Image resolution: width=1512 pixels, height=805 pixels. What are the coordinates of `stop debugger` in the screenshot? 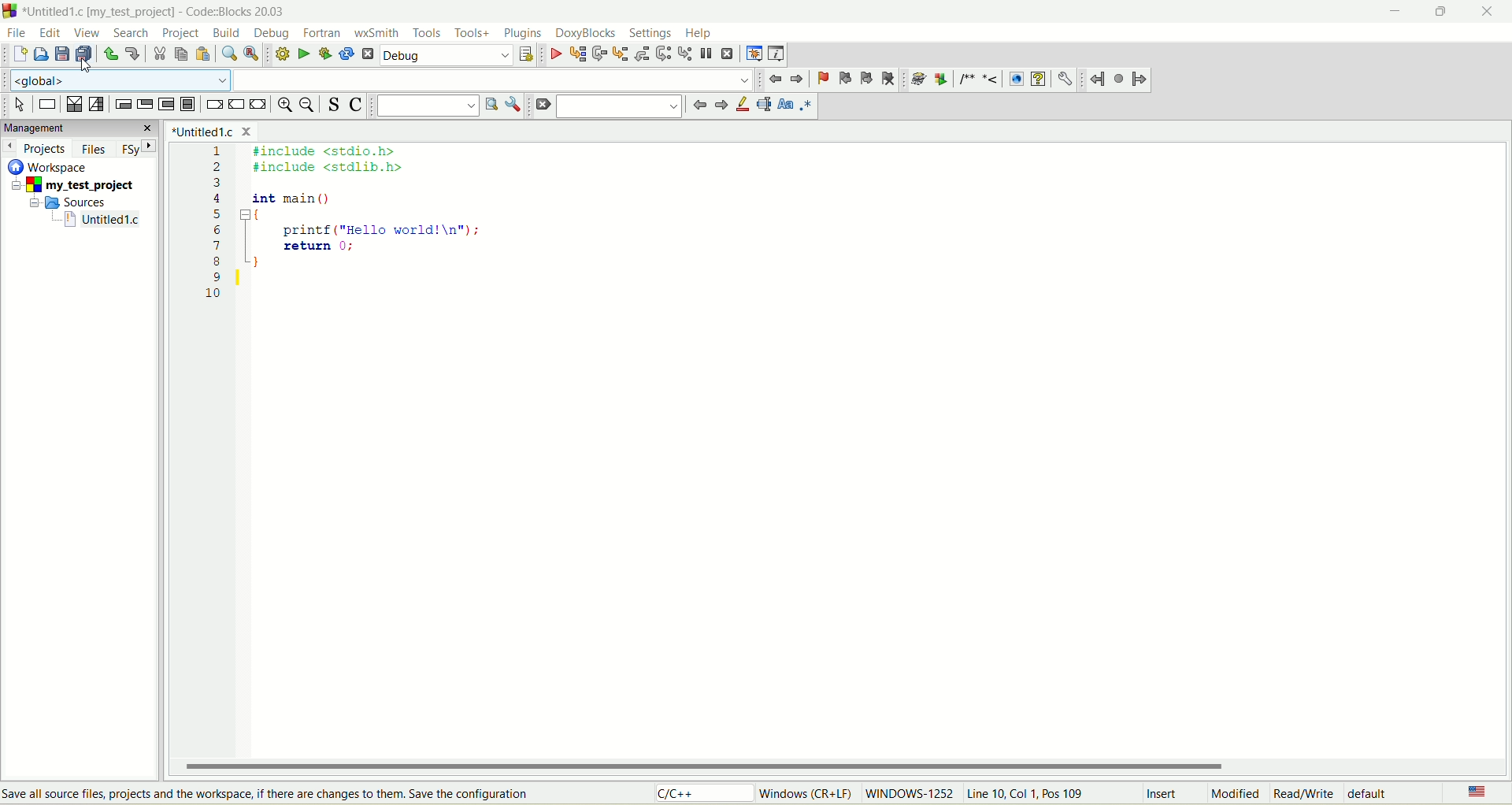 It's located at (727, 55).